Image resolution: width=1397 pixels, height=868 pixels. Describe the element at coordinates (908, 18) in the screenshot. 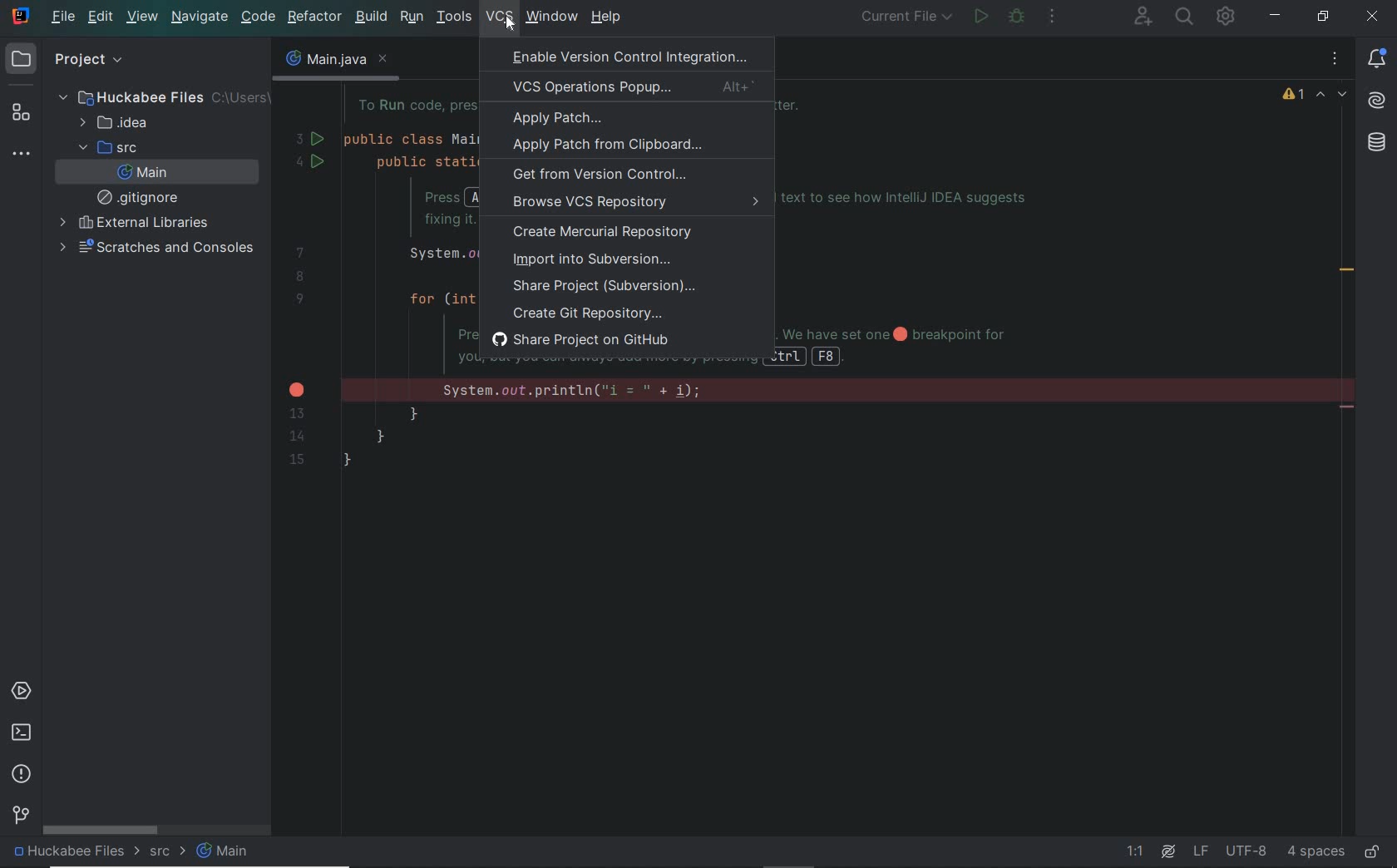

I see `run/debug configurations: current file` at that location.